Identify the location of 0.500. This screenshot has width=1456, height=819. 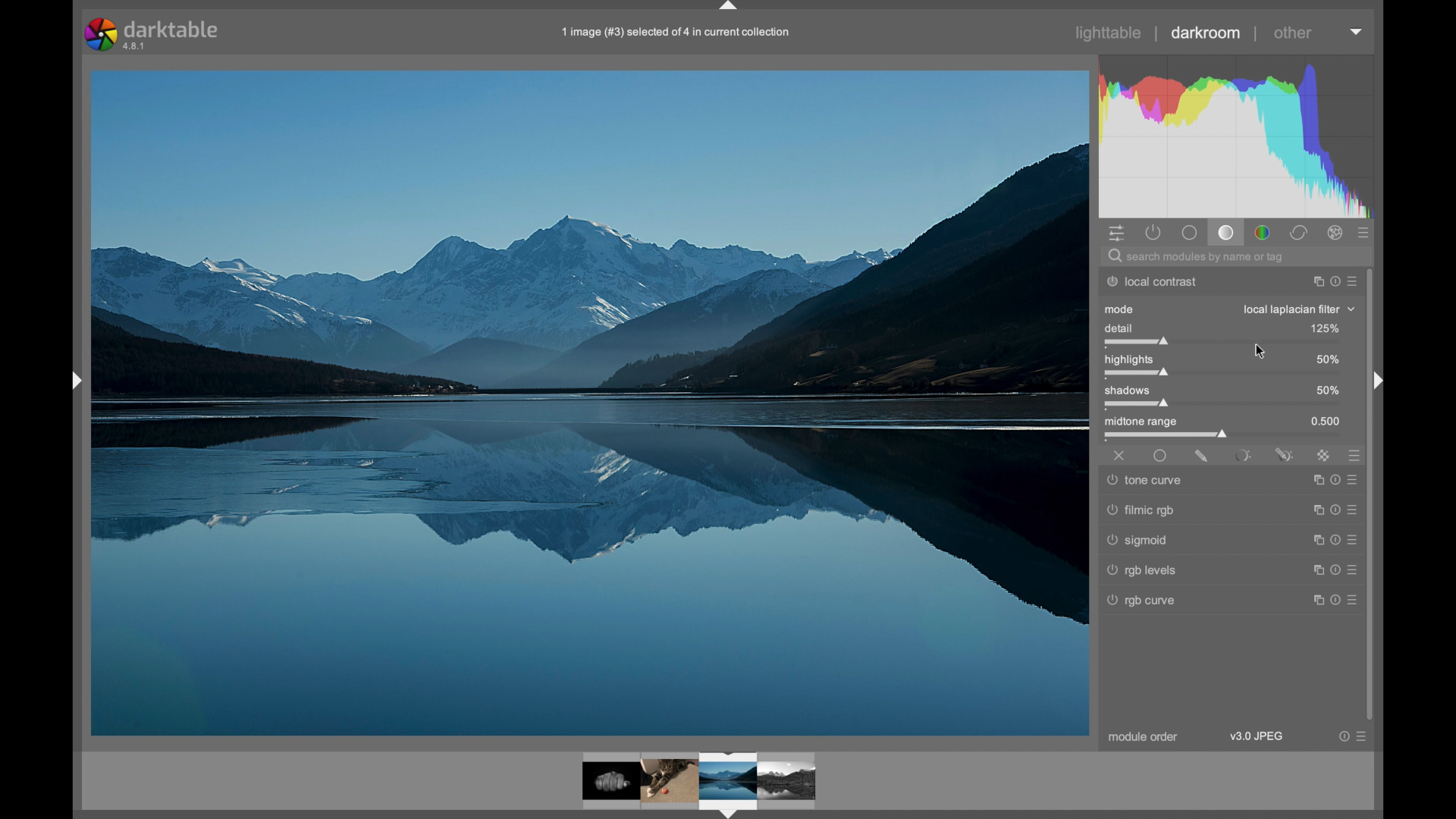
(1327, 422).